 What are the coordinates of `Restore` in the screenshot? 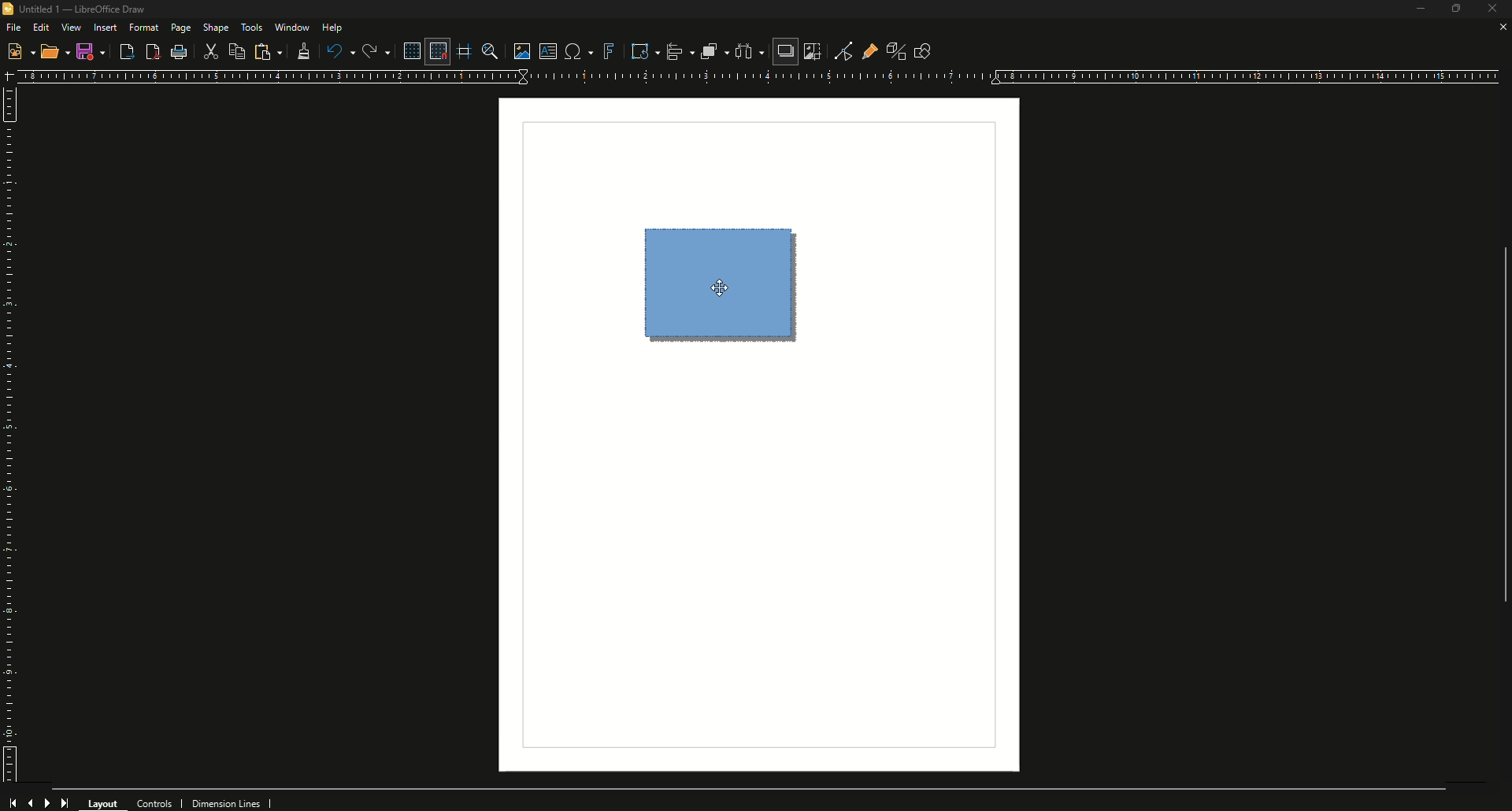 It's located at (1454, 10).